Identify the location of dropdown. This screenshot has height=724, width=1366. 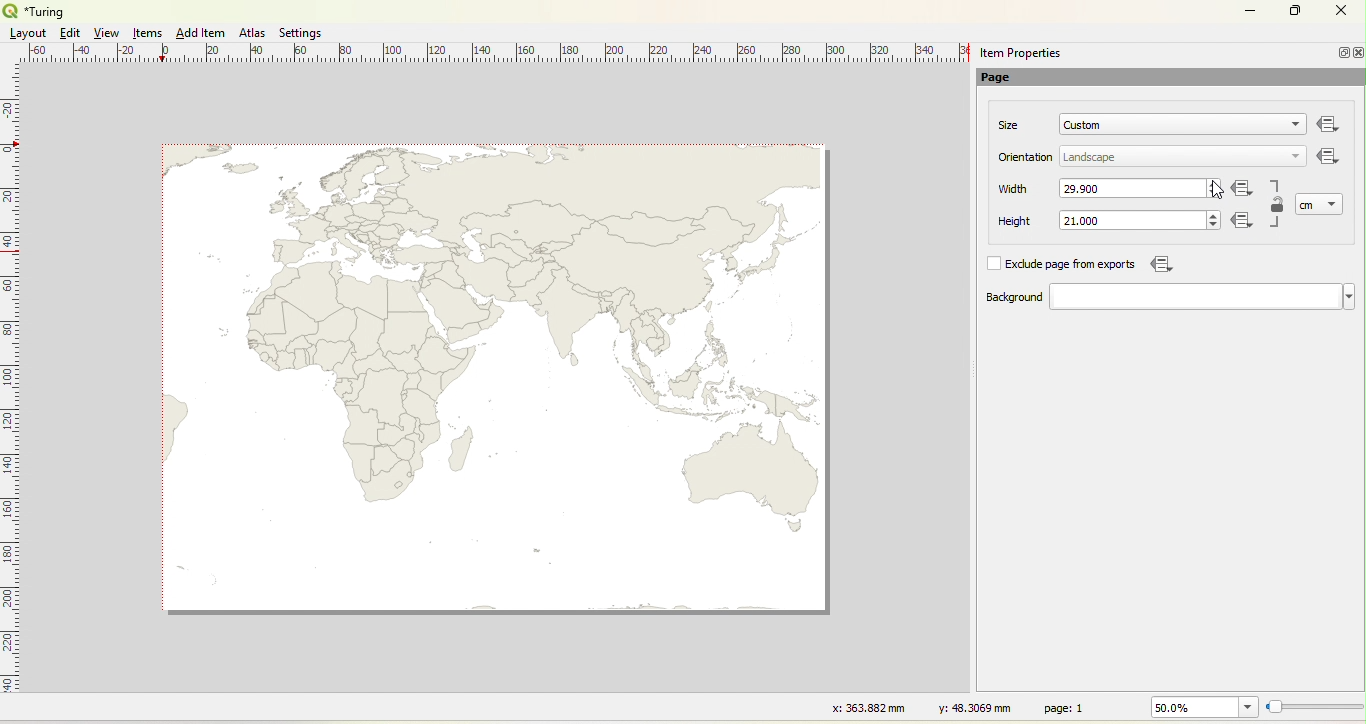
(1202, 297).